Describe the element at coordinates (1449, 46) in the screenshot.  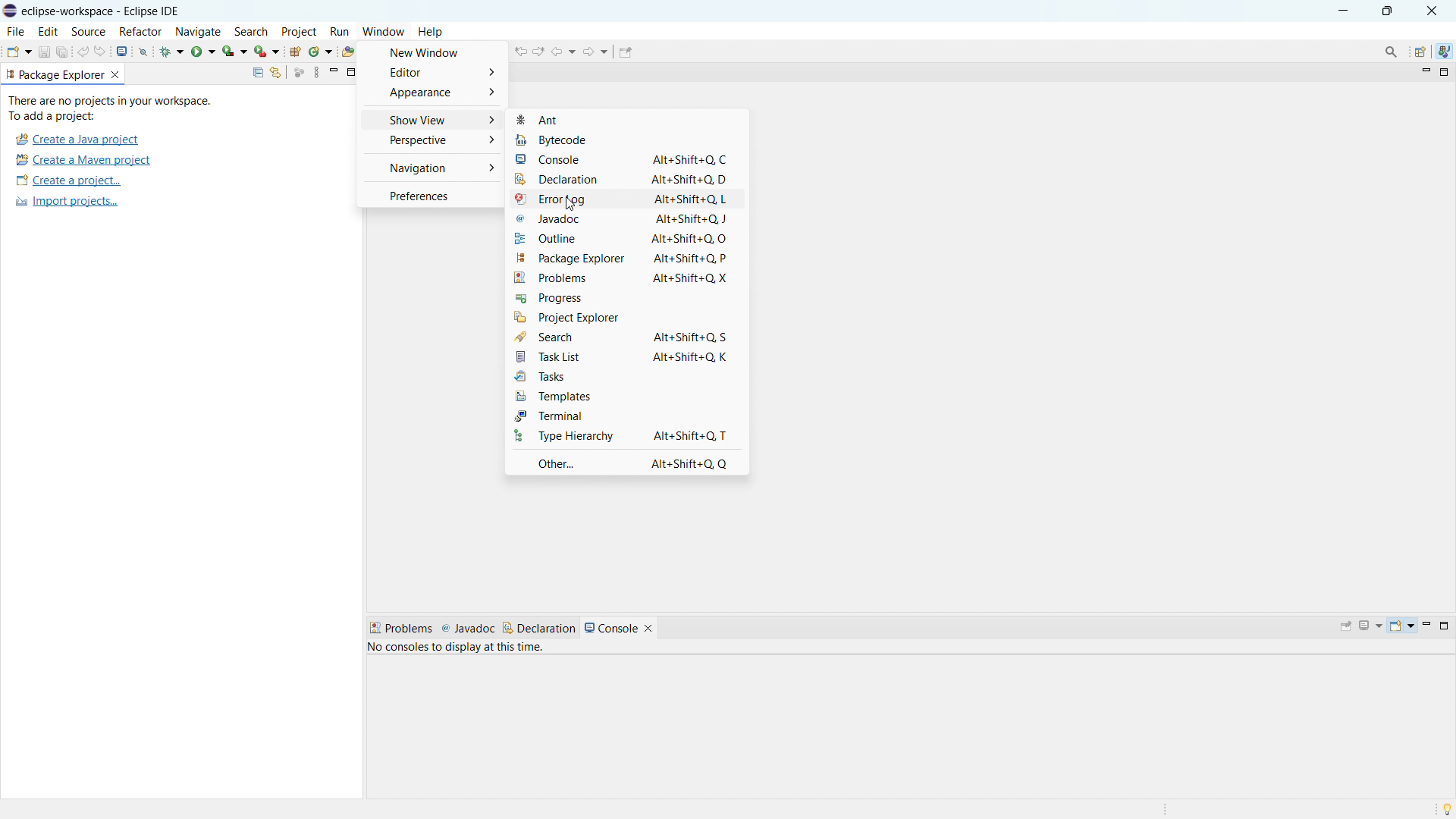
I see `java ` at that location.